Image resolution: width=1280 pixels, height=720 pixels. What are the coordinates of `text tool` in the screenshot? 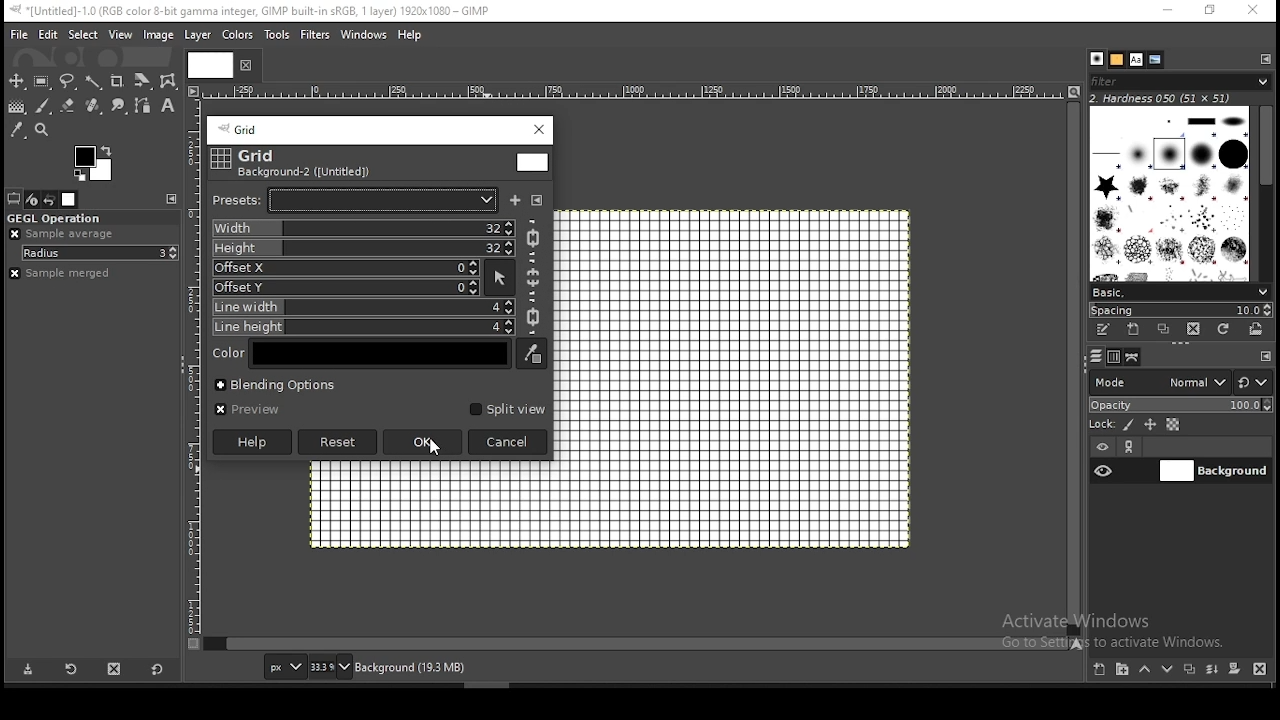 It's located at (168, 106).